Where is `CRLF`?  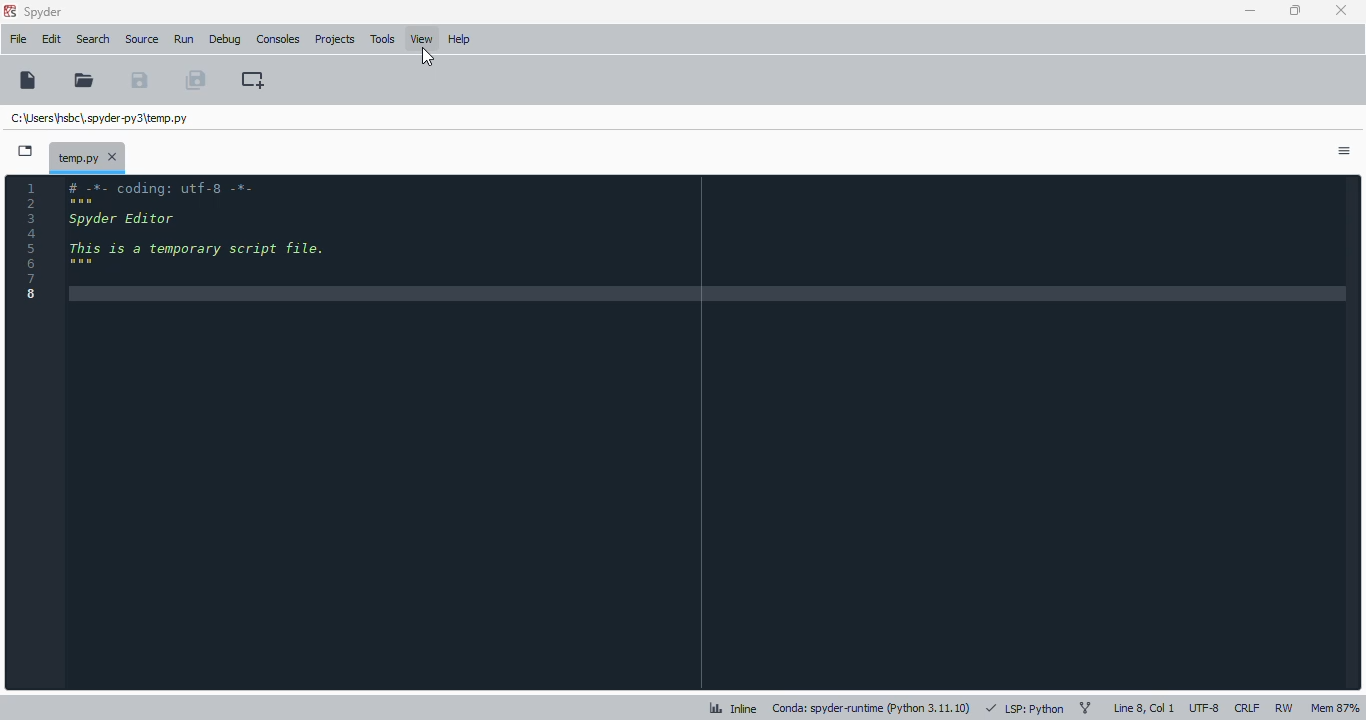 CRLF is located at coordinates (1246, 707).